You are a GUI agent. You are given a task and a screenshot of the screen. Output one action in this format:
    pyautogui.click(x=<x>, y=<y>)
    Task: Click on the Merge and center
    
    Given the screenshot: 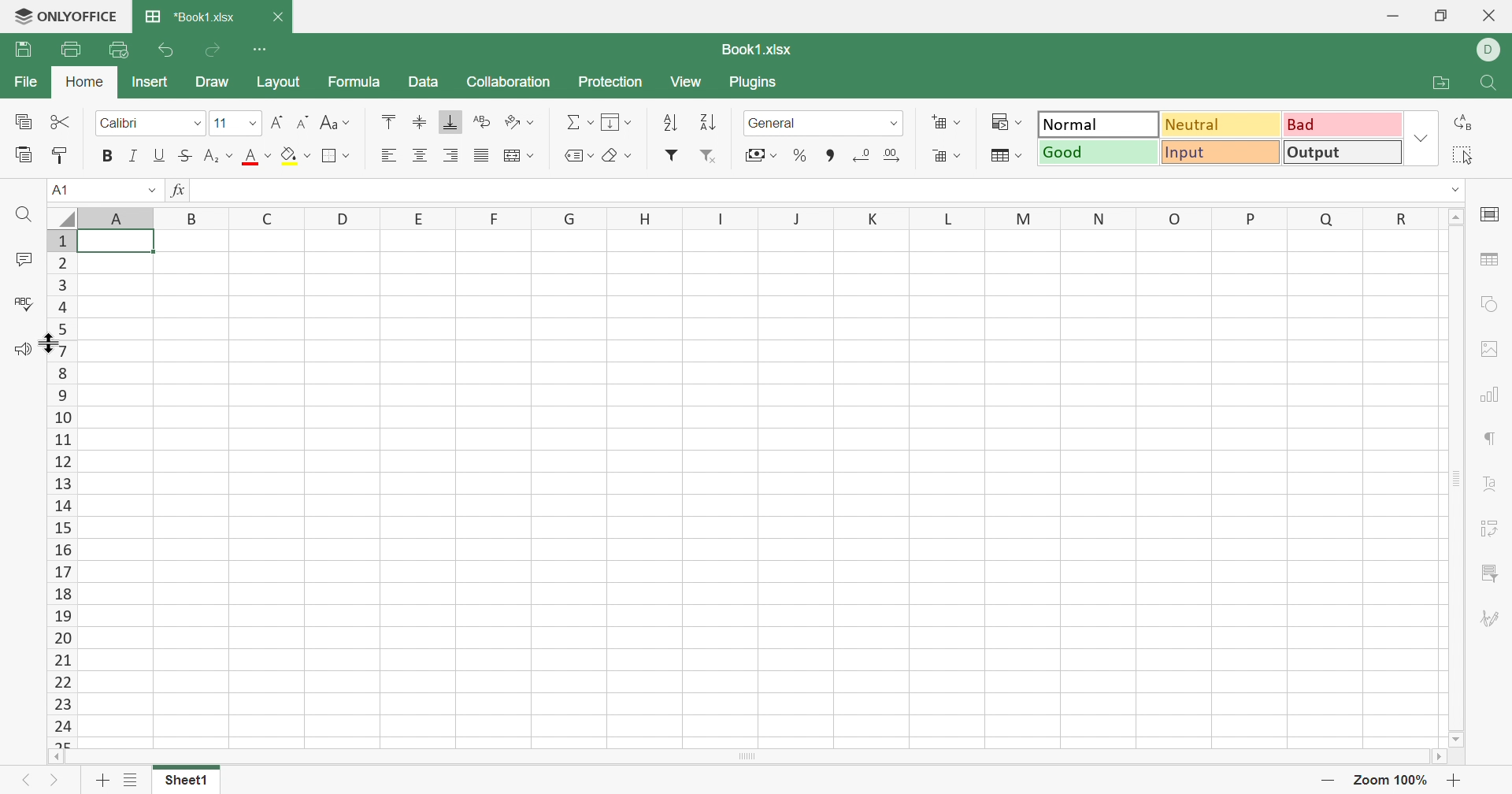 What is the action you would take?
    pyautogui.click(x=518, y=156)
    